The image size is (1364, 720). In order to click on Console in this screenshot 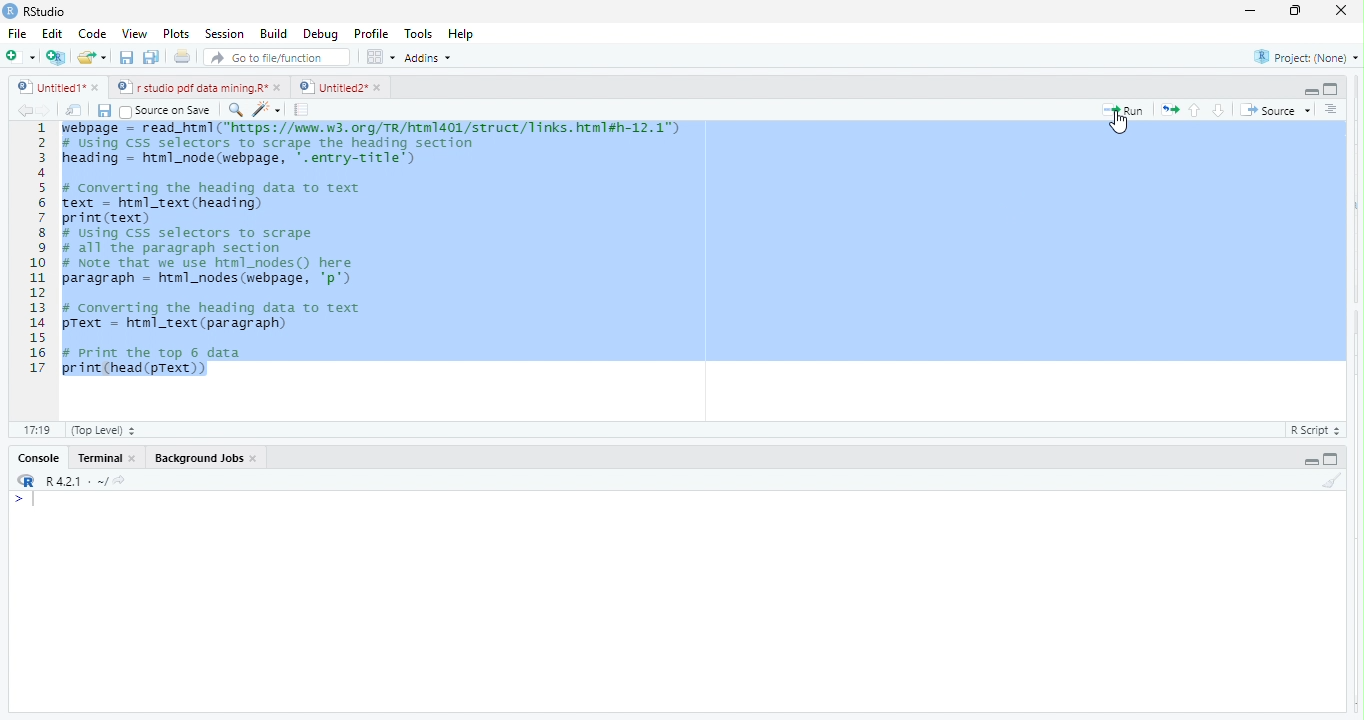, I will do `click(38, 459)`.